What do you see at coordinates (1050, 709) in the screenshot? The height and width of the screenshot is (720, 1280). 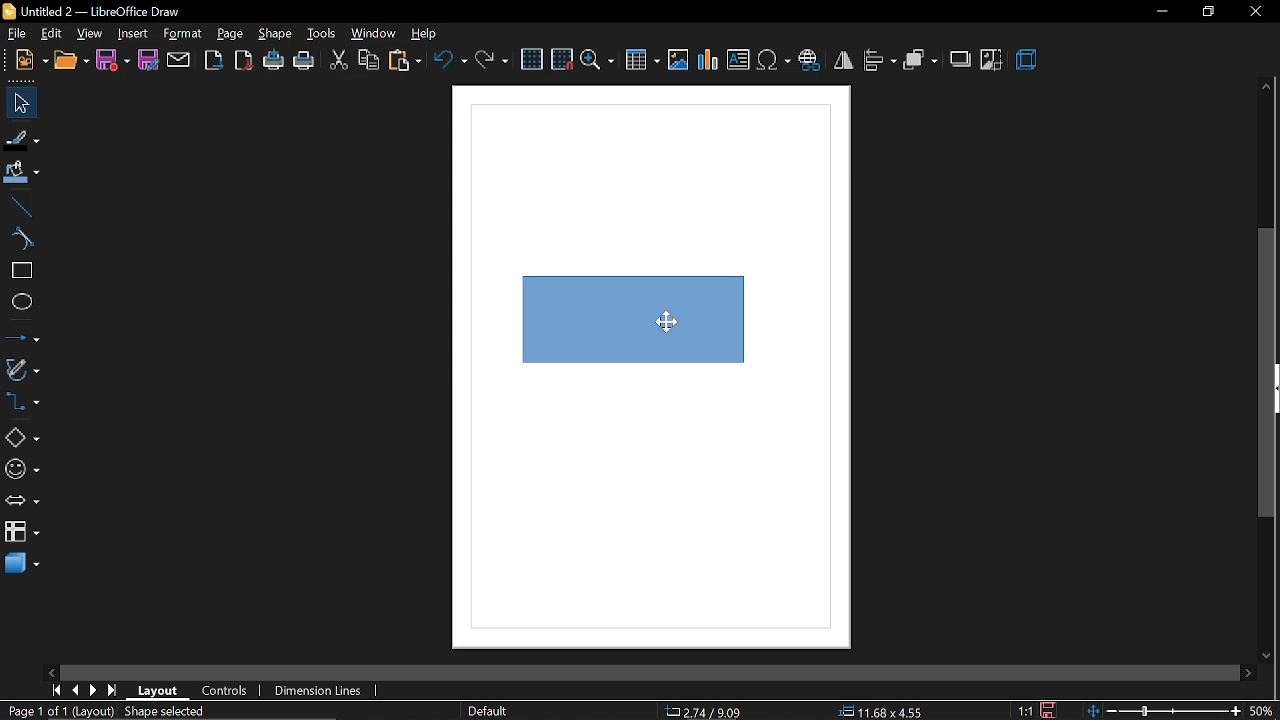 I see `save` at bounding box center [1050, 709].